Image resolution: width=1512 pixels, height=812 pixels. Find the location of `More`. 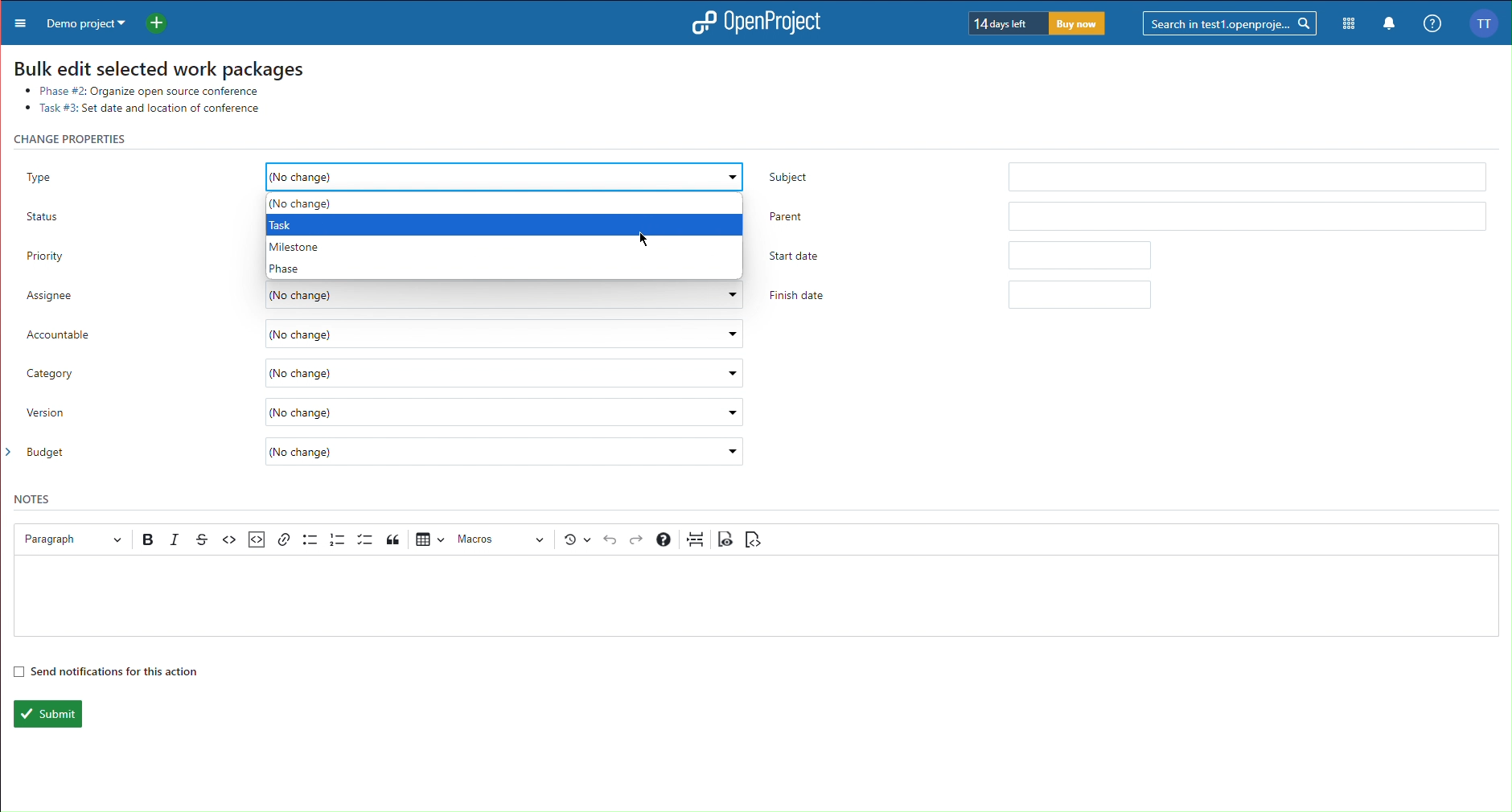

More is located at coordinates (17, 22).